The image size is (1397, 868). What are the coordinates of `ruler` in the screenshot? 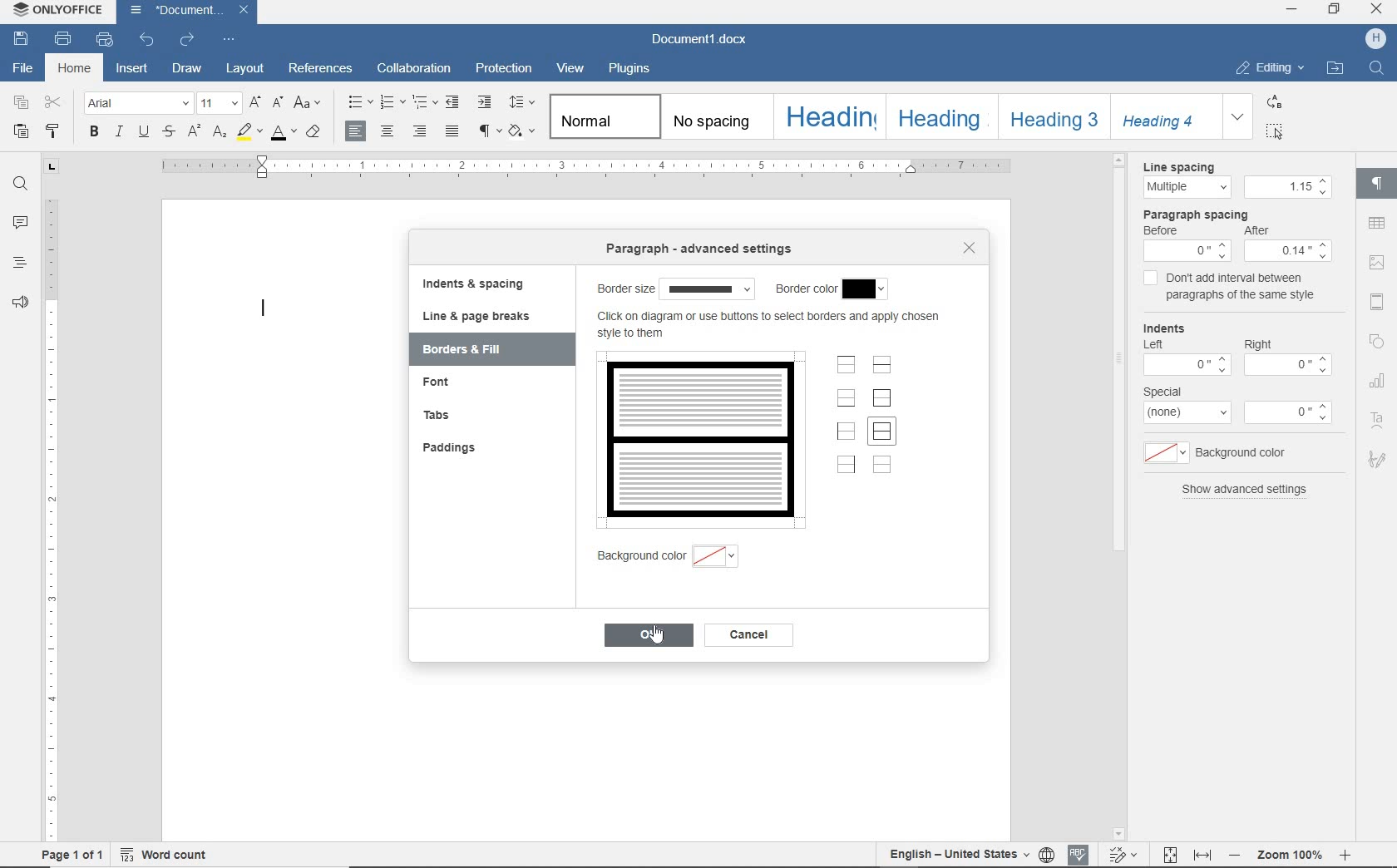 It's located at (579, 169).